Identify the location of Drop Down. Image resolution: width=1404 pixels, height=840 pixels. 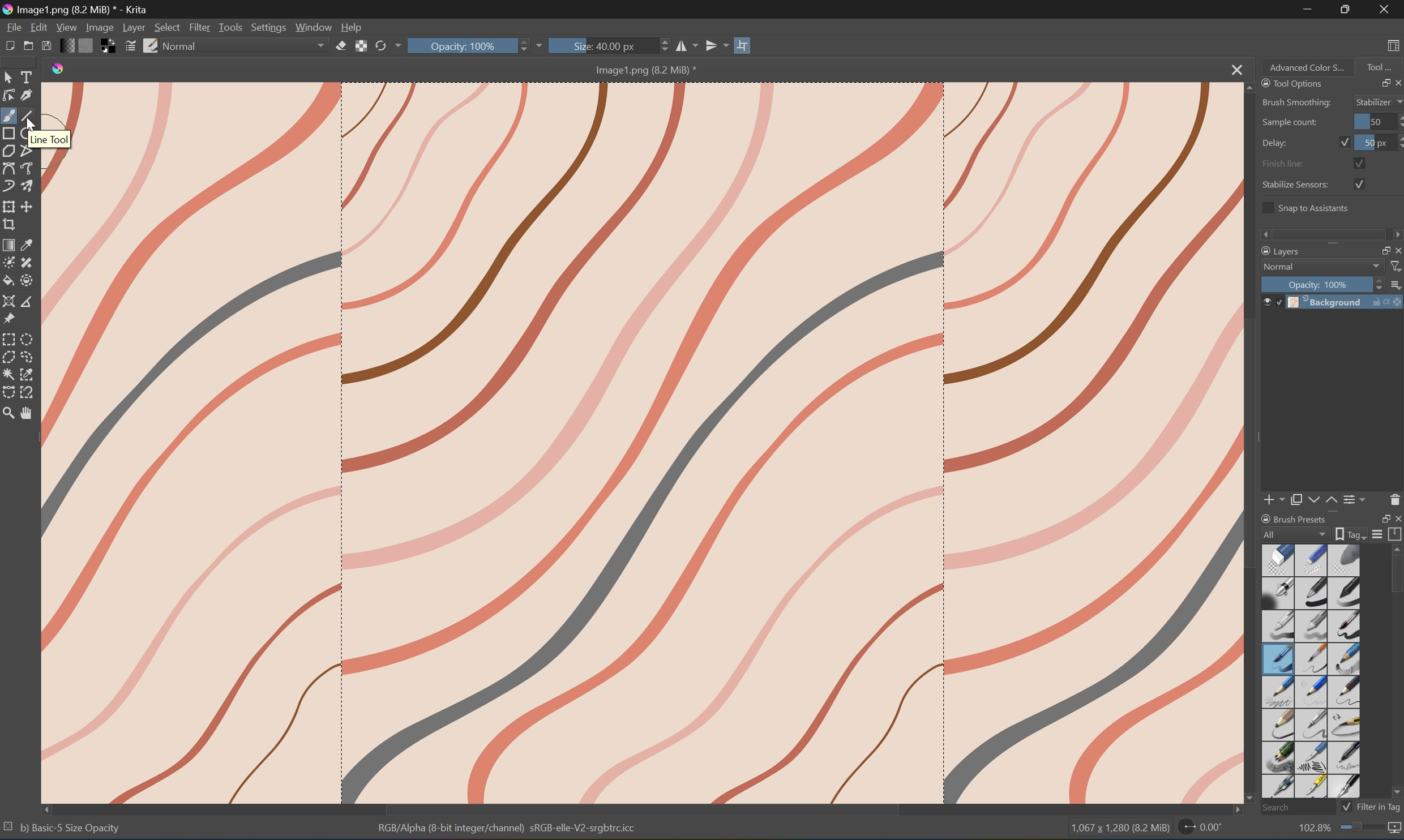
(1375, 267).